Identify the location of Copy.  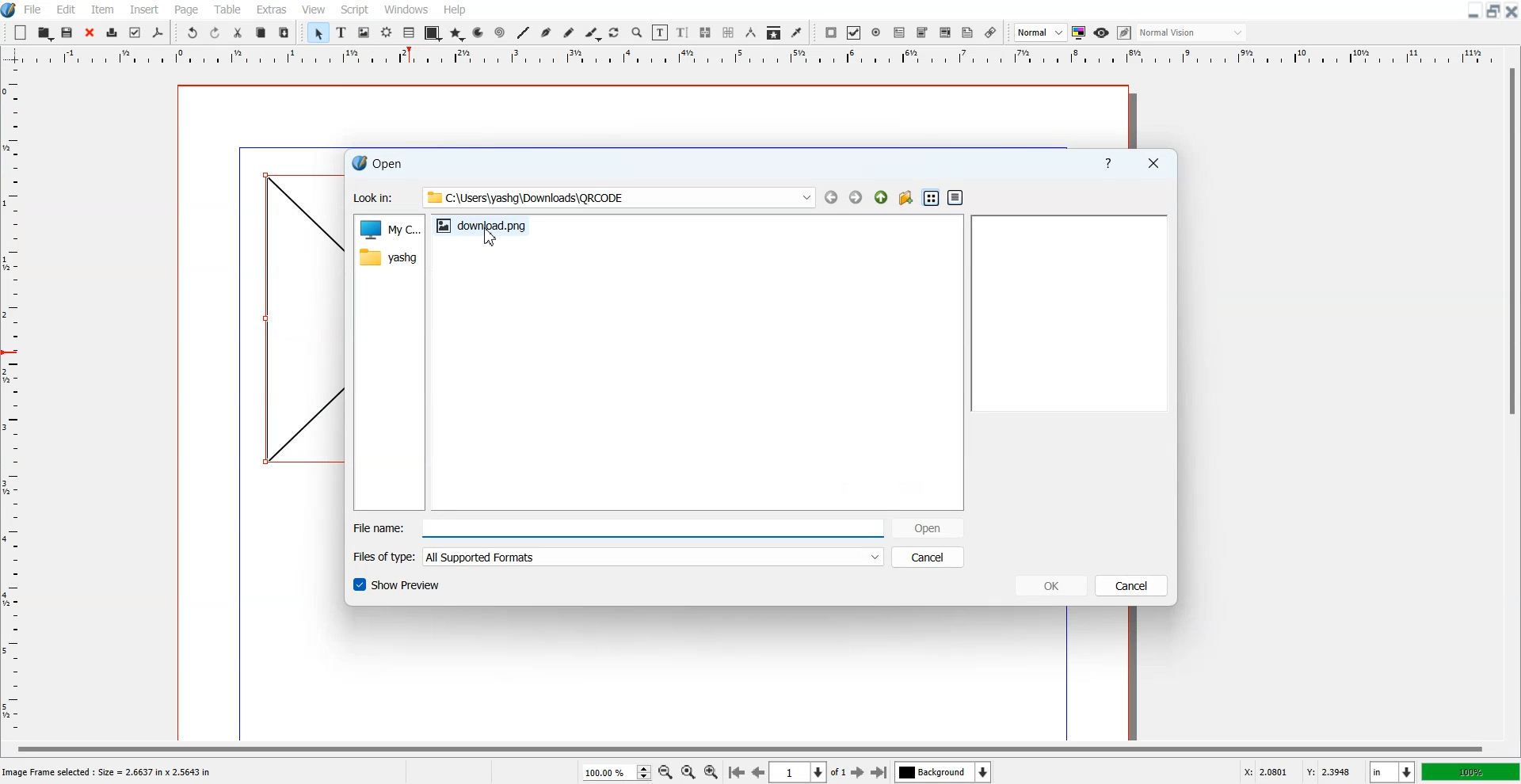
(261, 32).